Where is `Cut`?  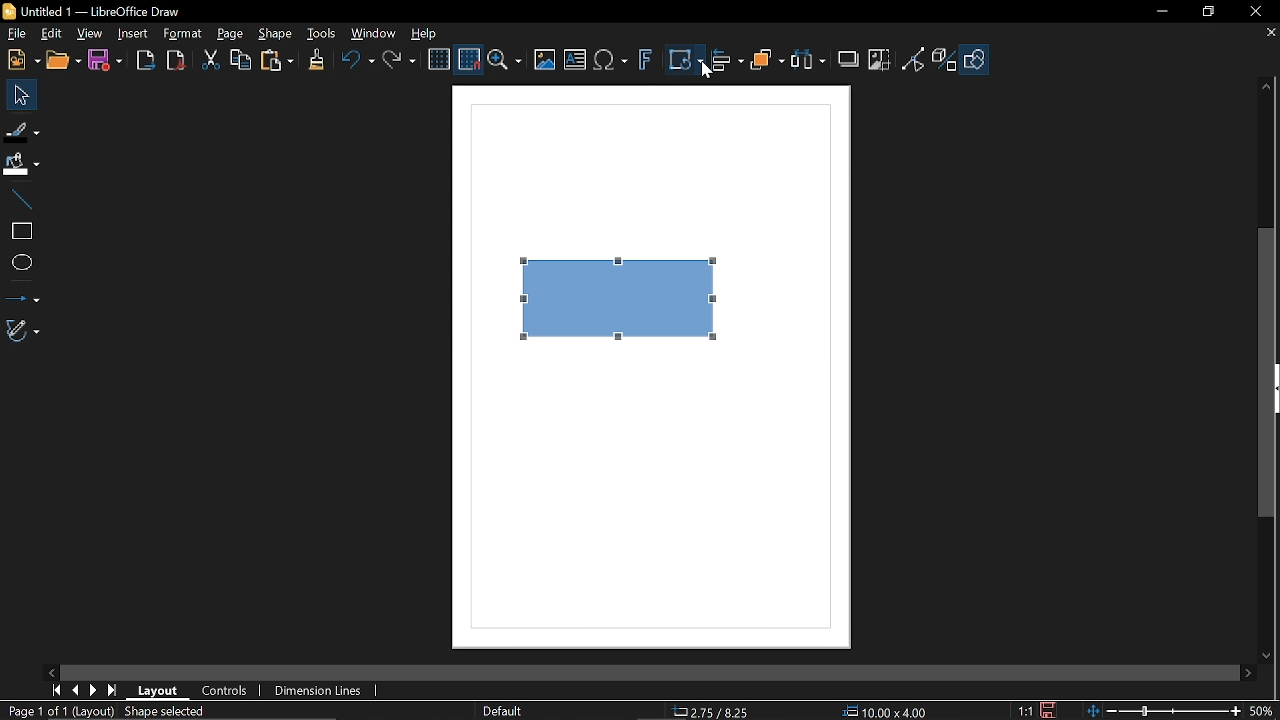 Cut is located at coordinates (209, 63).